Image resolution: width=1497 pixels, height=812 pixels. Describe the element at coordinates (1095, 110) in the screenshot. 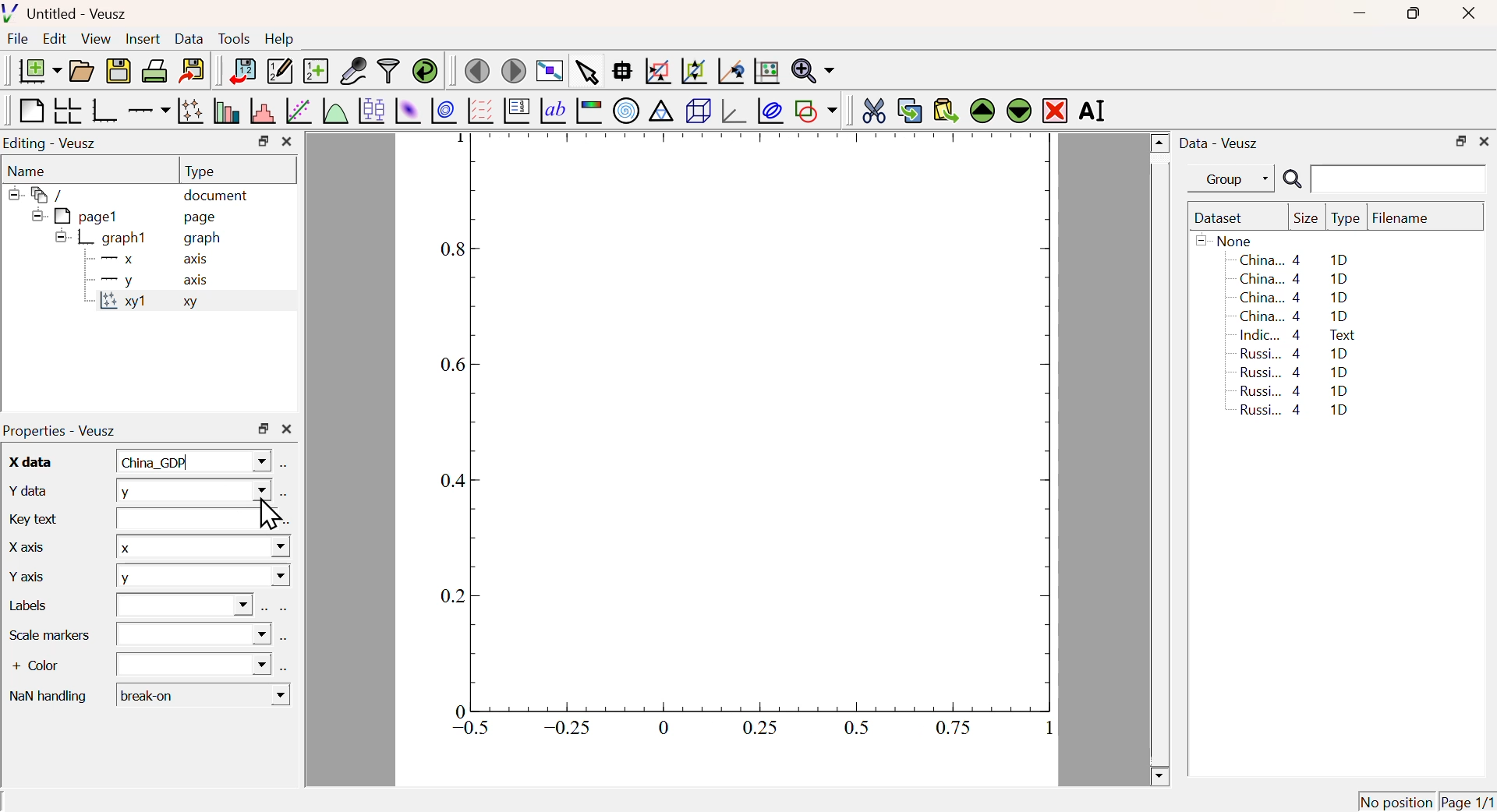

I see `Rename` at that location.